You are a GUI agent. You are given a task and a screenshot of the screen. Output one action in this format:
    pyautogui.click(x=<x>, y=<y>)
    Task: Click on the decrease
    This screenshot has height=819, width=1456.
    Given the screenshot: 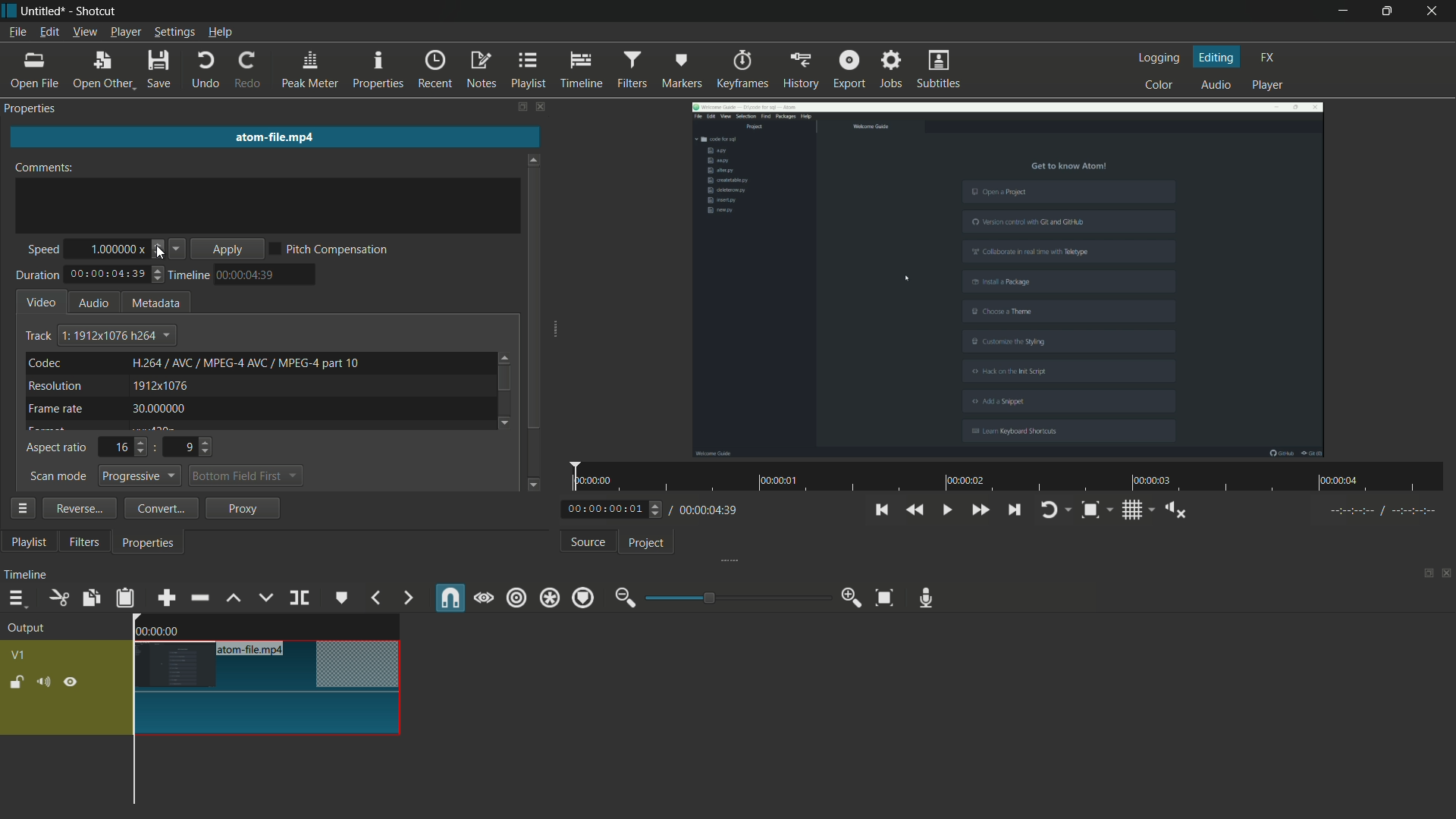 What is the action you would take?
    pyautogui.click(x=178, y=250)
    